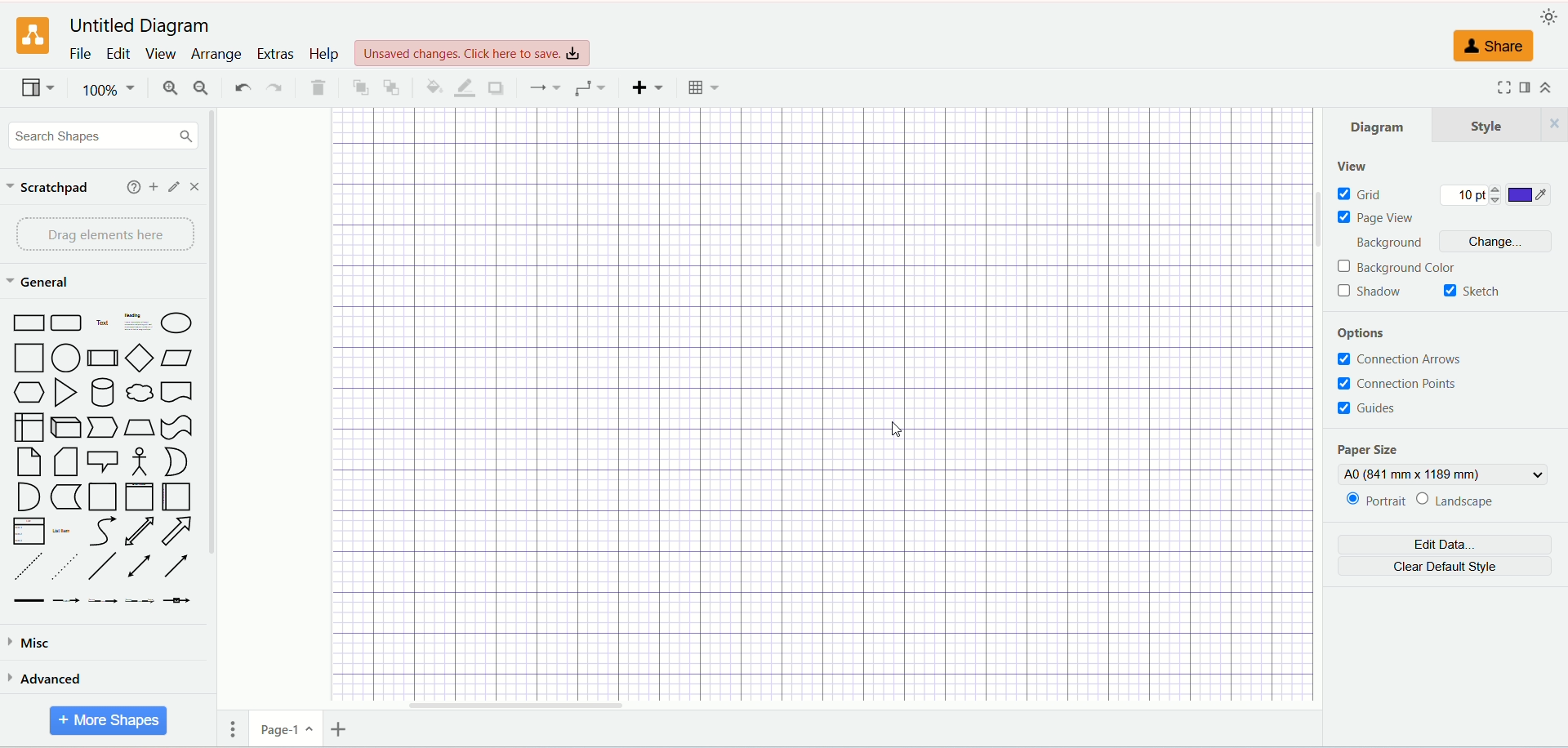  Describe the element at coordinates (176, 394) in the screenshot. I see `Document` at that location.